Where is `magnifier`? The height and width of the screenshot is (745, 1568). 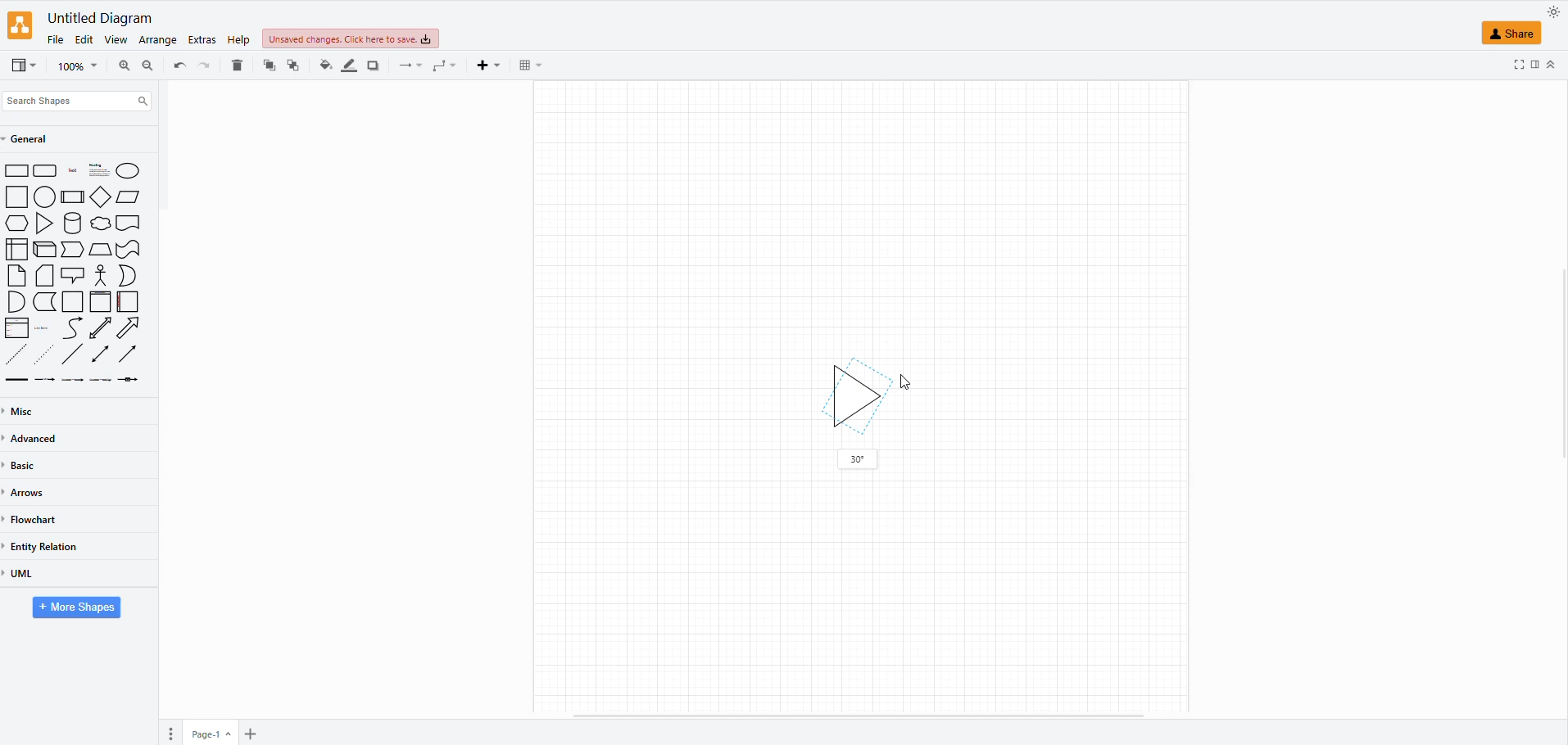 magnifier is located at coordinates (70, 69).